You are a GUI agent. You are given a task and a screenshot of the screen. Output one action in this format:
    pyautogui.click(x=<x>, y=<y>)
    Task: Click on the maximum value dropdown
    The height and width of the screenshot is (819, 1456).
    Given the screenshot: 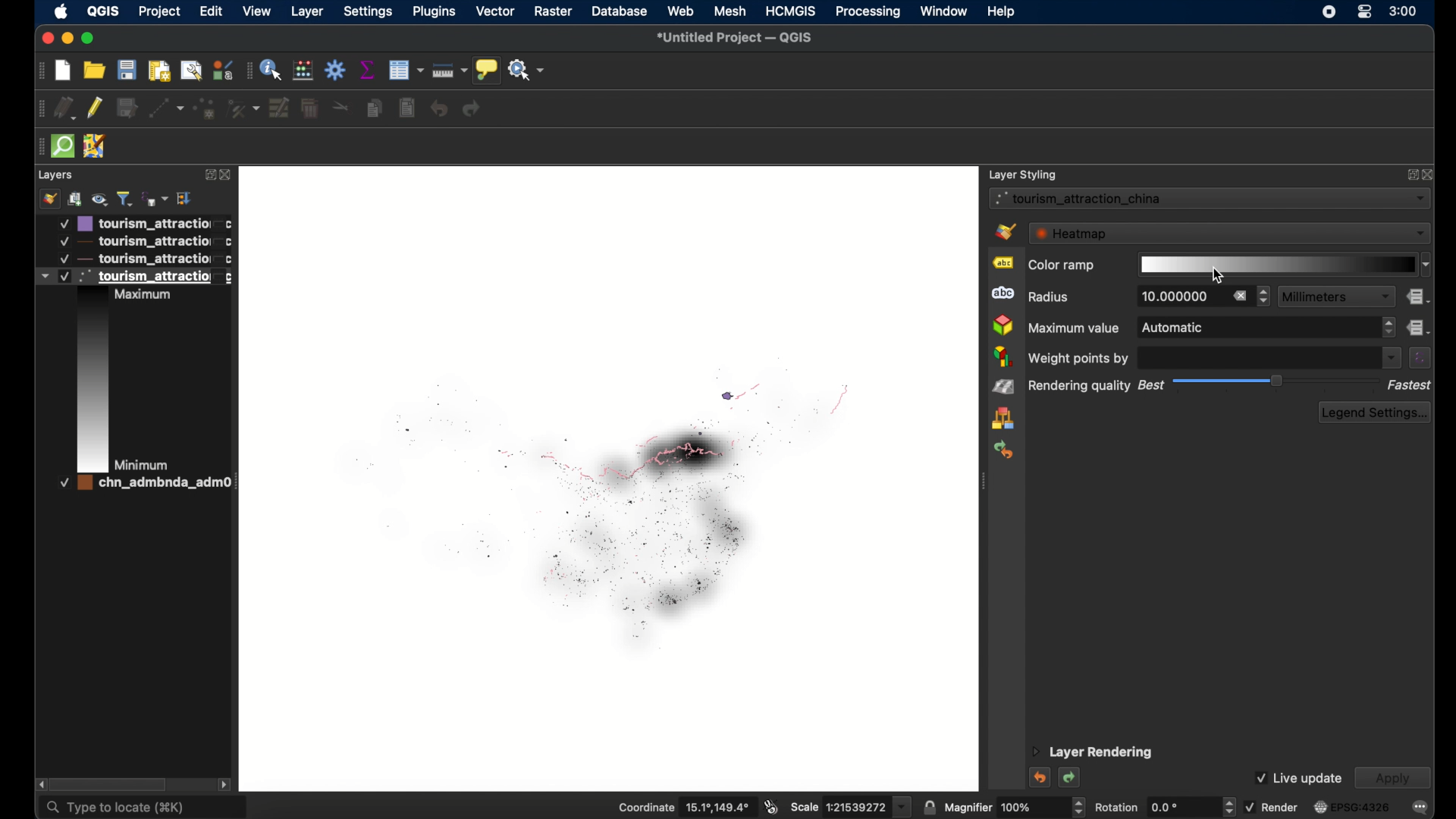 What is the action you would take?
    pyautogui.click(x=1266, y=328)
    